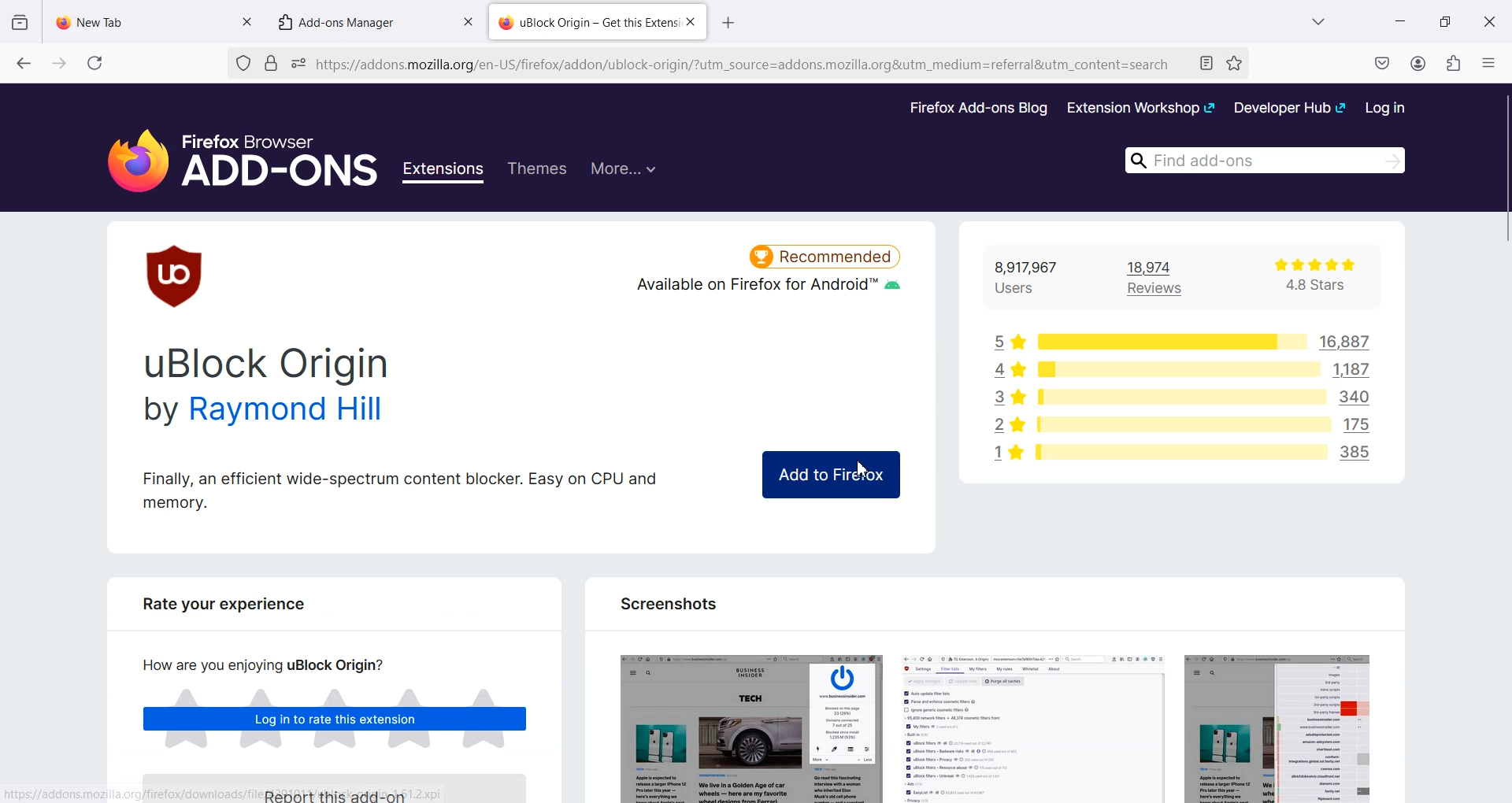 The height and width of the screenshot is (803, 1512). What do you see at coordinates (1317, 21) in the screenshot?
I see `List all Tab` at bounding box center [1317, 21].